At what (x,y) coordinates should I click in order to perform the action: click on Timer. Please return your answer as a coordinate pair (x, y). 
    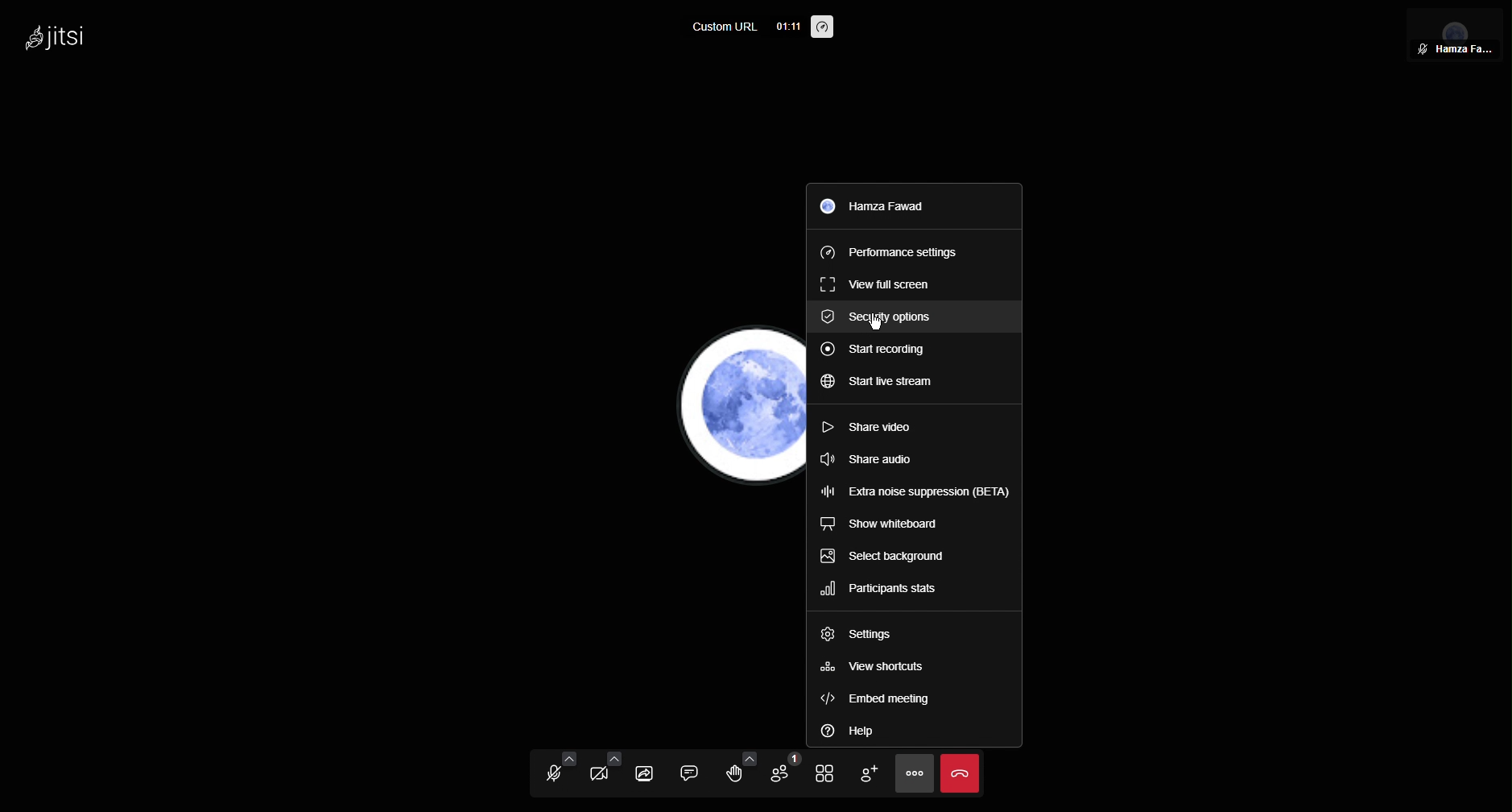
    Looking at the image, I should click on (787, 27).